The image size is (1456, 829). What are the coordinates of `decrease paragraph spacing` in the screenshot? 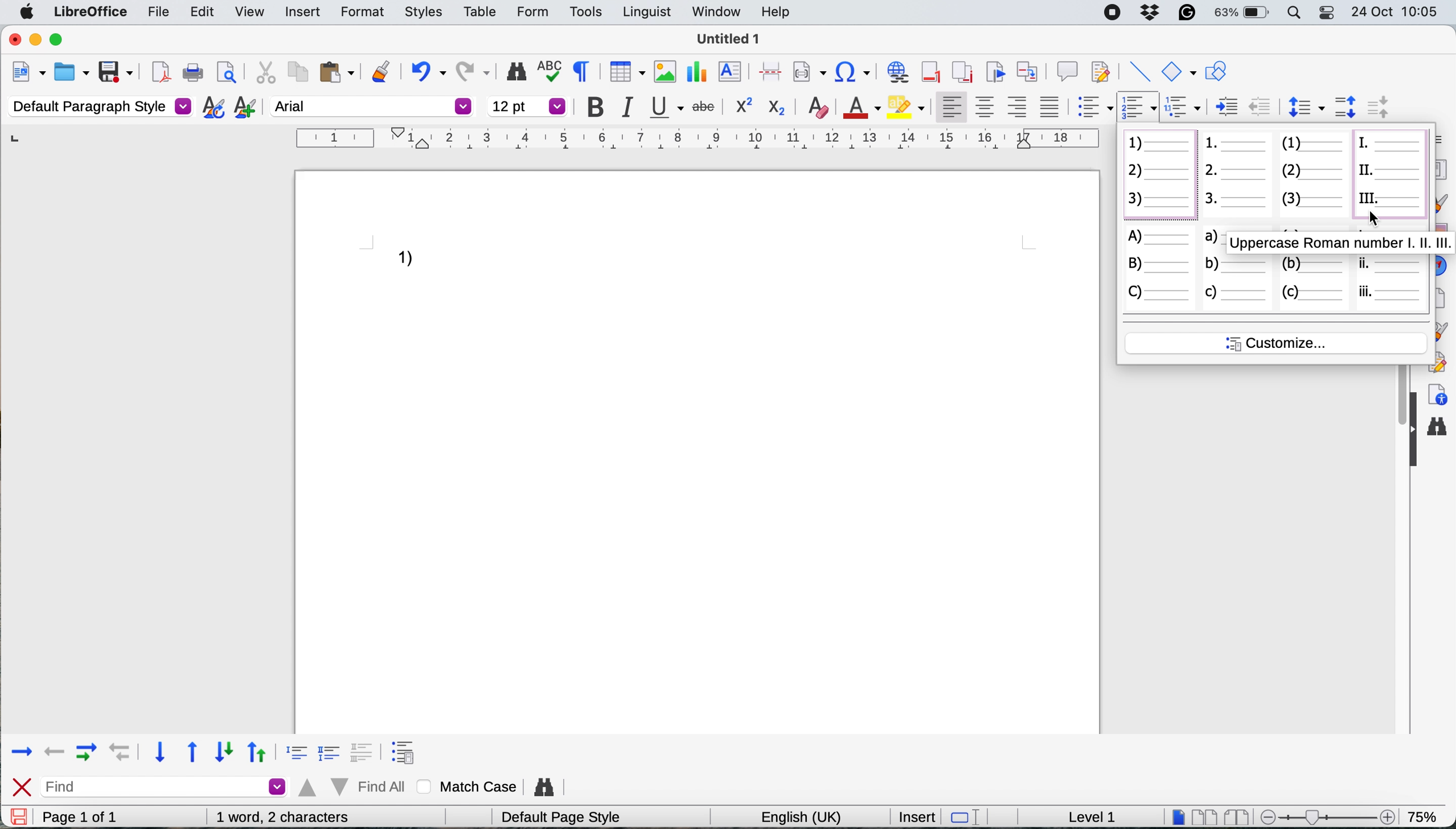 It's located at (1376, 106).